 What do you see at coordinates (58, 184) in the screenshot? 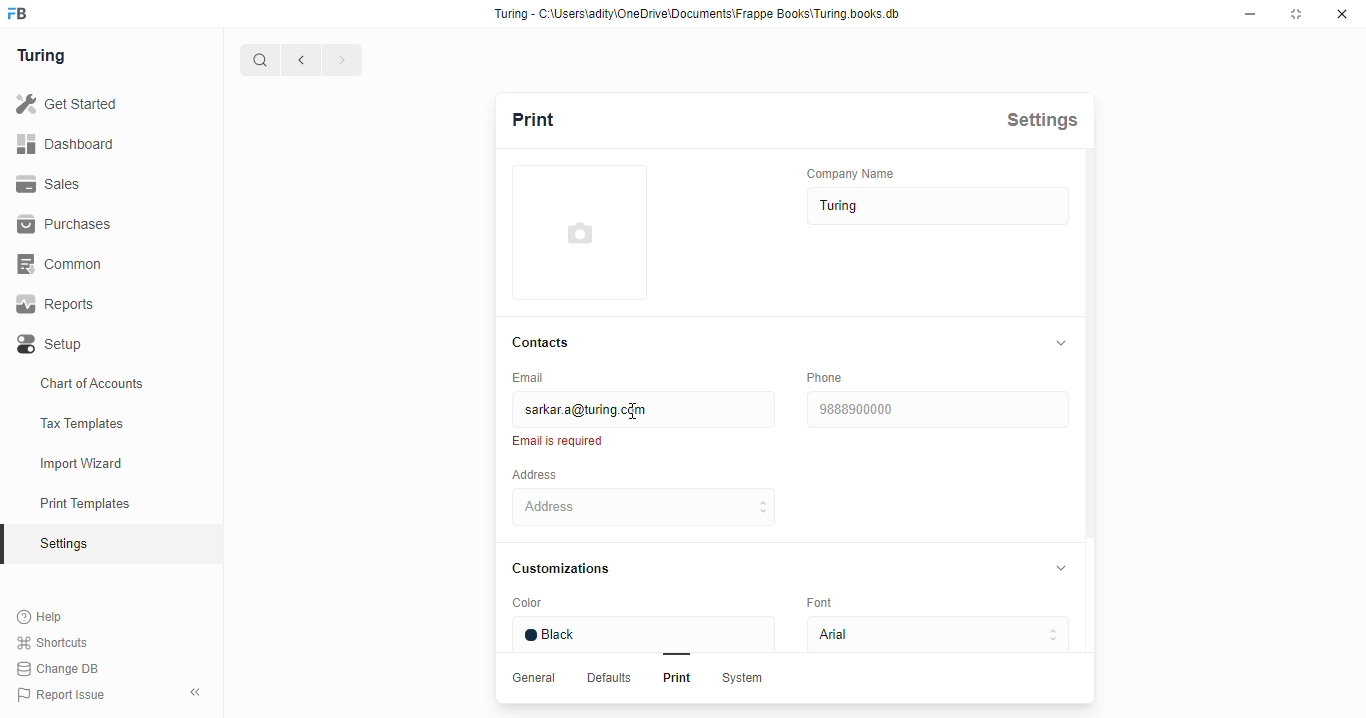
I see `Sales` at bounding box center [58, 184].